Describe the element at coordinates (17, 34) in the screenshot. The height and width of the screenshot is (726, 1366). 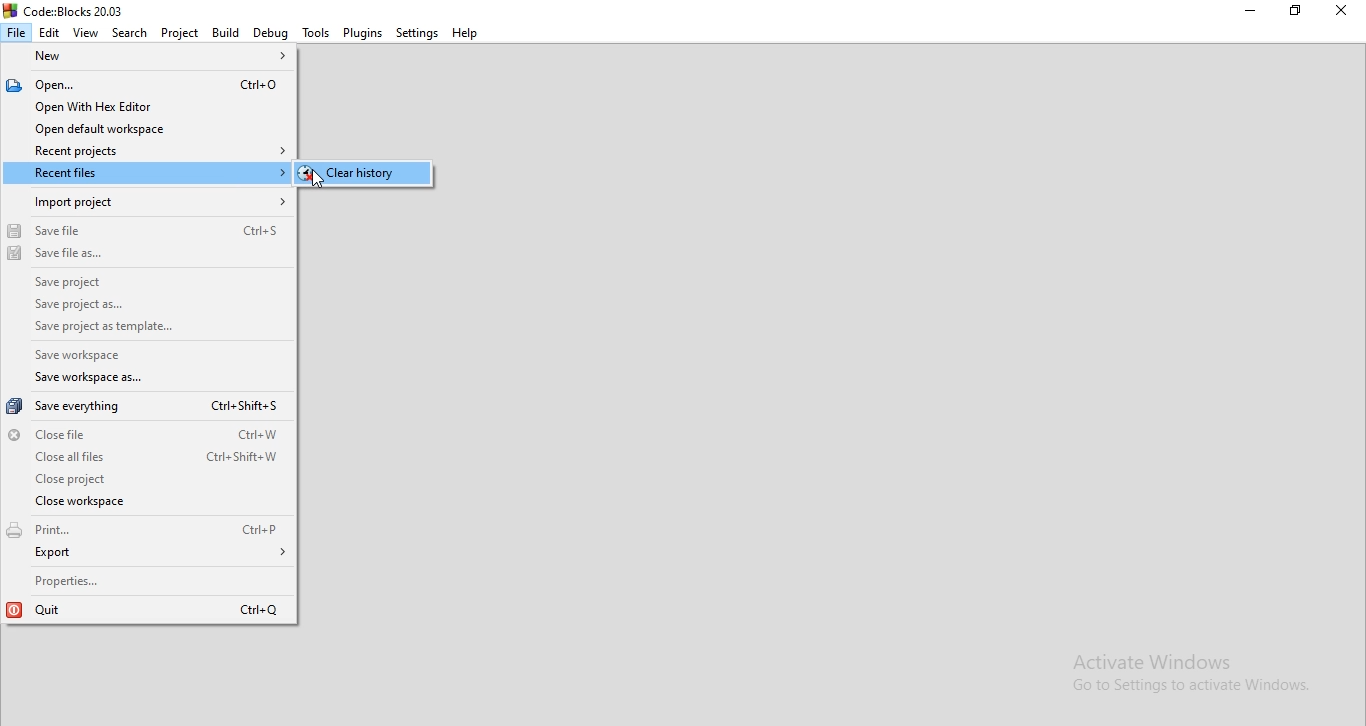
I see `File` at that location.